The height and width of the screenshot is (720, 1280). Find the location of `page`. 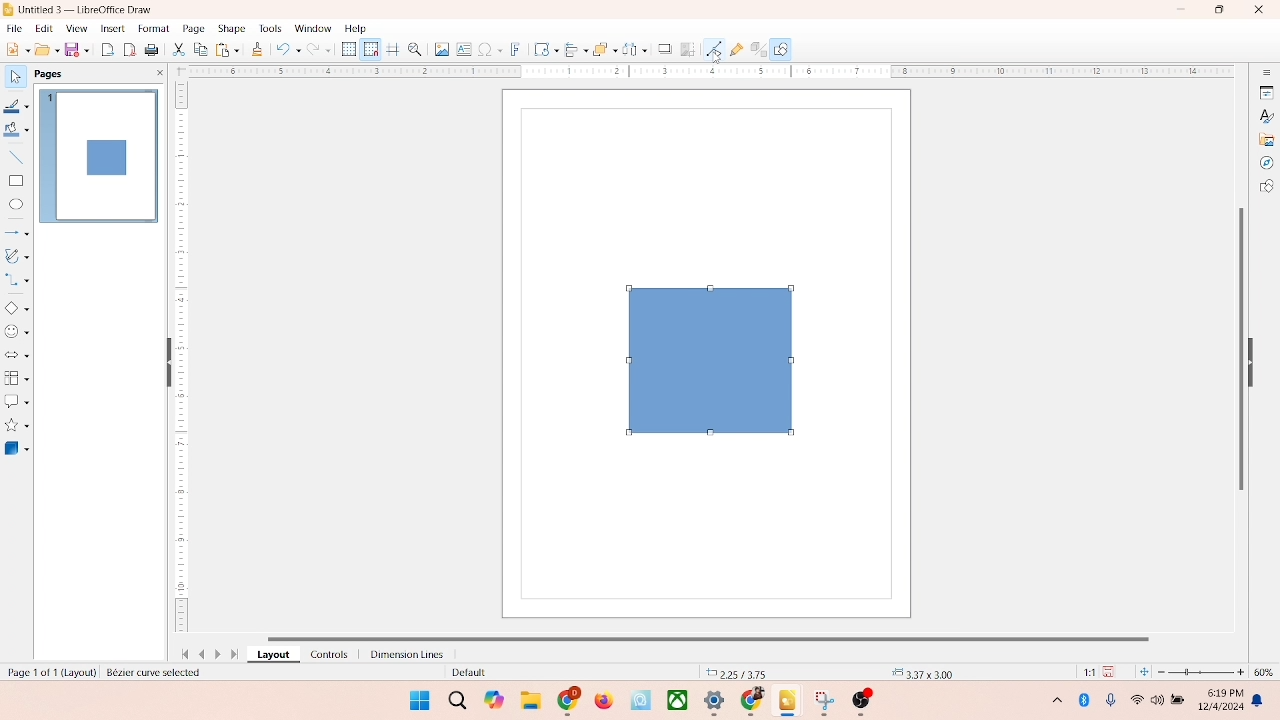

page is located at coordinates (191, 29).